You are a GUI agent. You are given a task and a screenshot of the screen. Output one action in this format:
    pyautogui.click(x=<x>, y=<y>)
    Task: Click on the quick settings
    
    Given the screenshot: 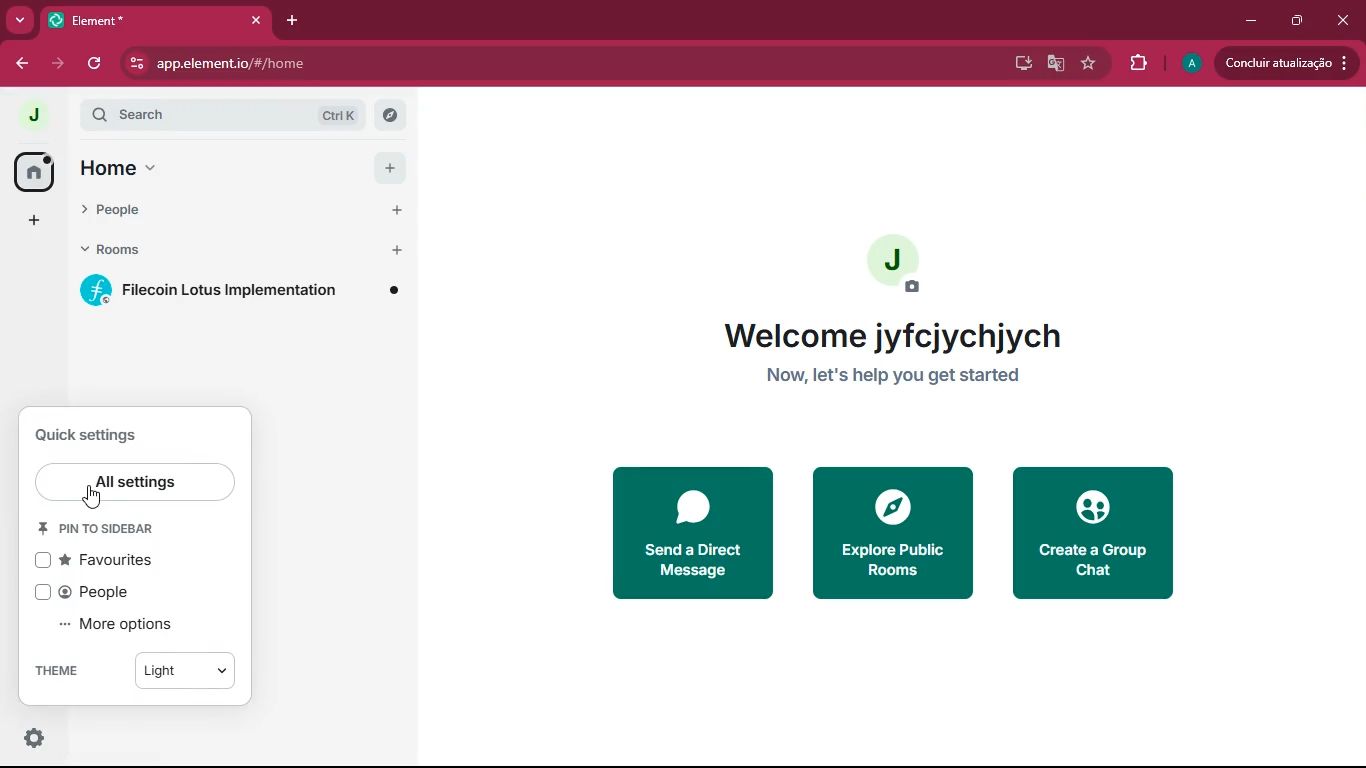 What is the action you would take?
    pyautogui.click(x=96, y=437)
    